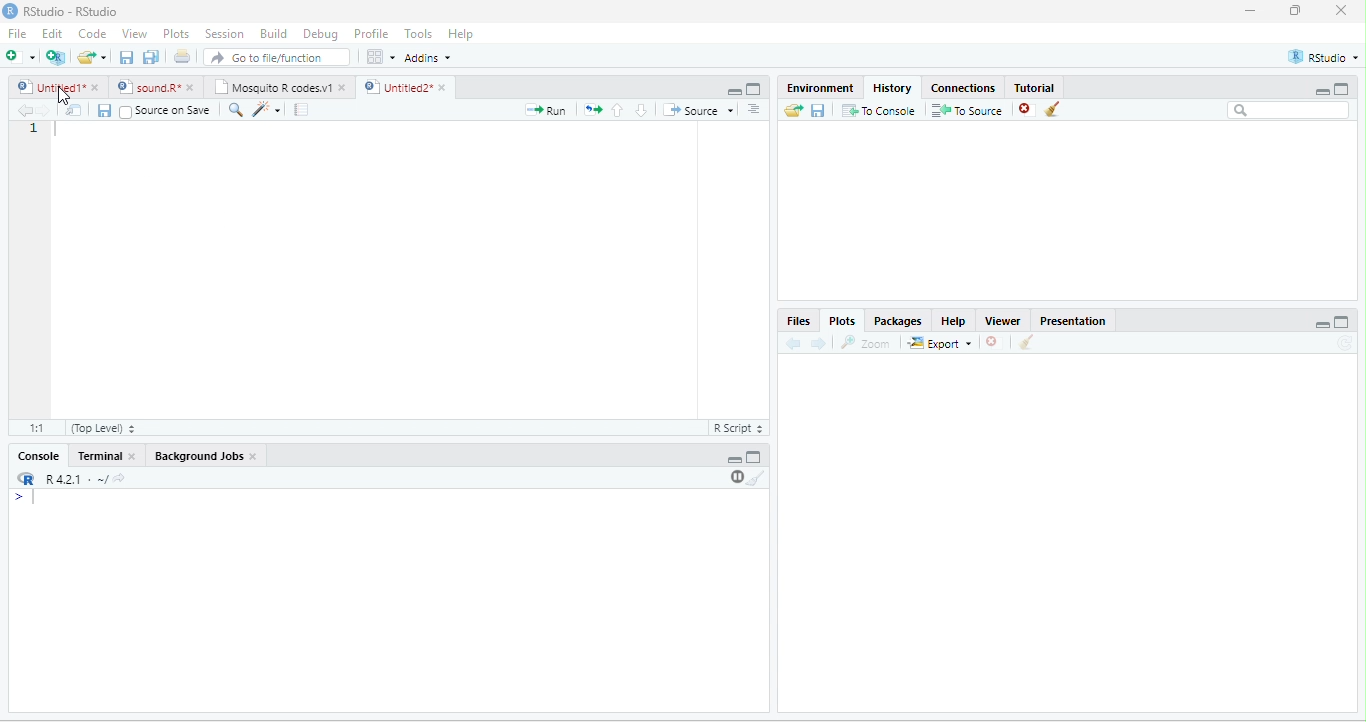  Describe the element at coordinates (1344, 343) in the screenshot. I see `refresh` at that location.